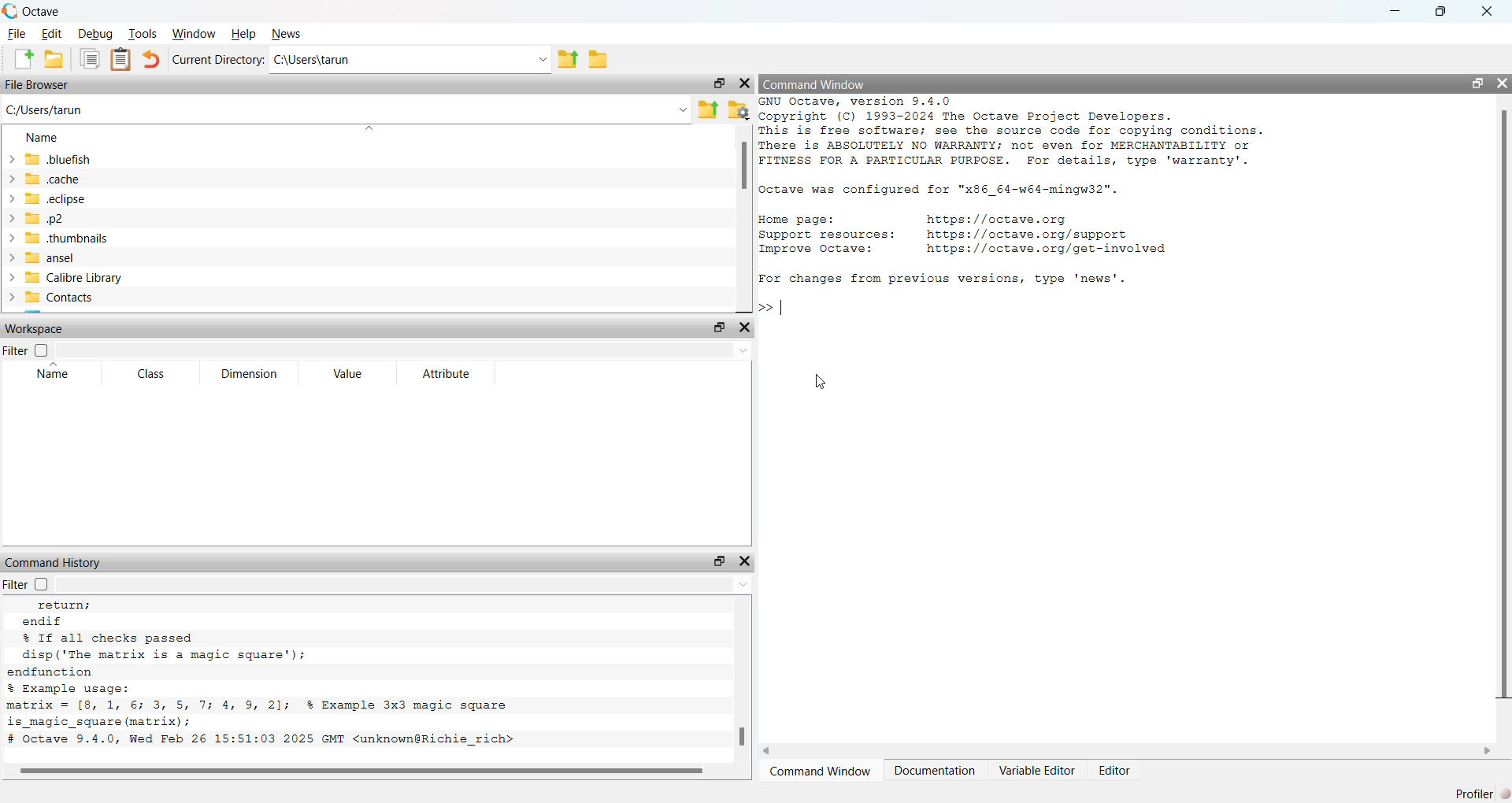  Describe the element at coordinates (270, 675) in the screenshot. I see `return;

endif

% If all checks passed

disp ('The matrix is a magic square’);
endfunction
% Example usage:
matrix = [8, 1, 6; 3, 5, 7; 4, 9, 2]; % Example 3x3 magic square
is_magic_square (matrix);
# Octave 9.4.0, Wed Feb 26 15:51:03 2025 GMT <unknown@Richie_rich>` at that location.